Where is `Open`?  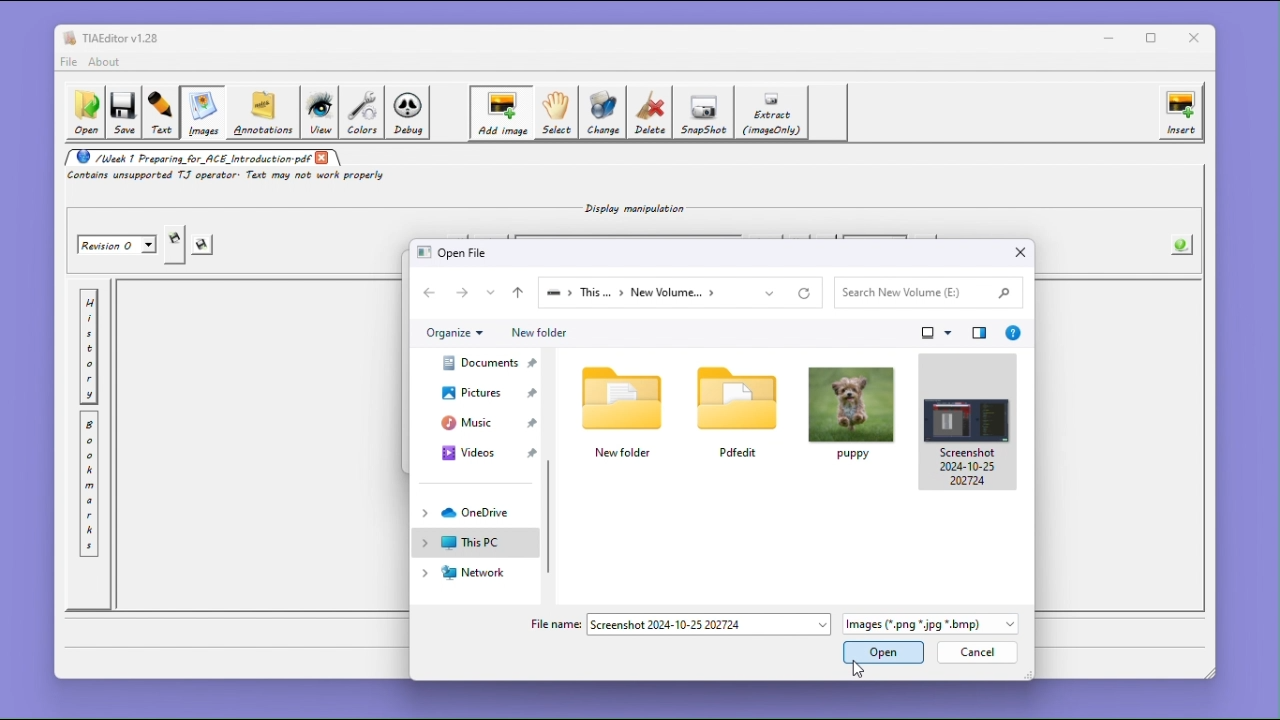
Open is located at coordinates (84, 113).